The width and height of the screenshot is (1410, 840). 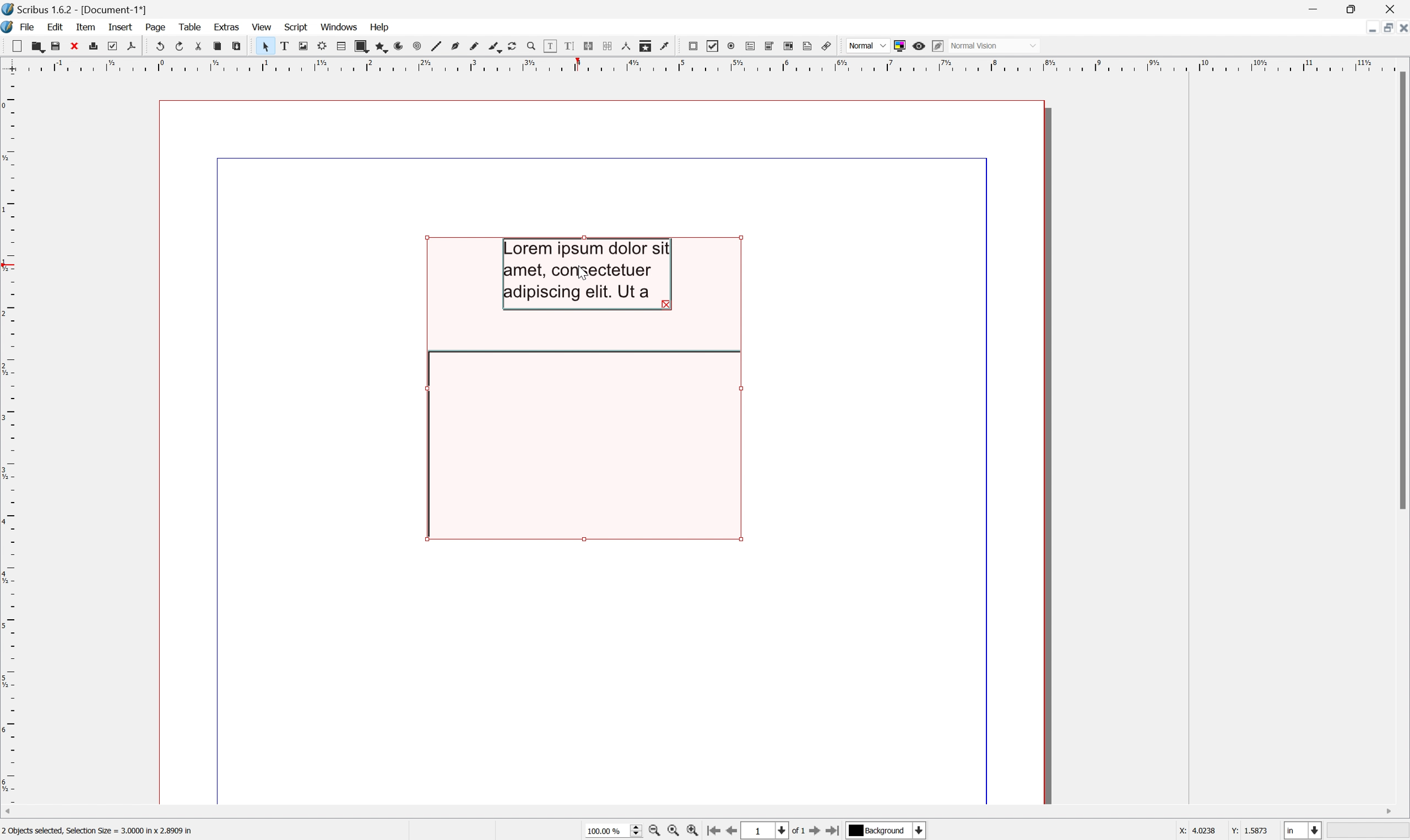 I want to click on Measurements, so click(x=627, y=46).